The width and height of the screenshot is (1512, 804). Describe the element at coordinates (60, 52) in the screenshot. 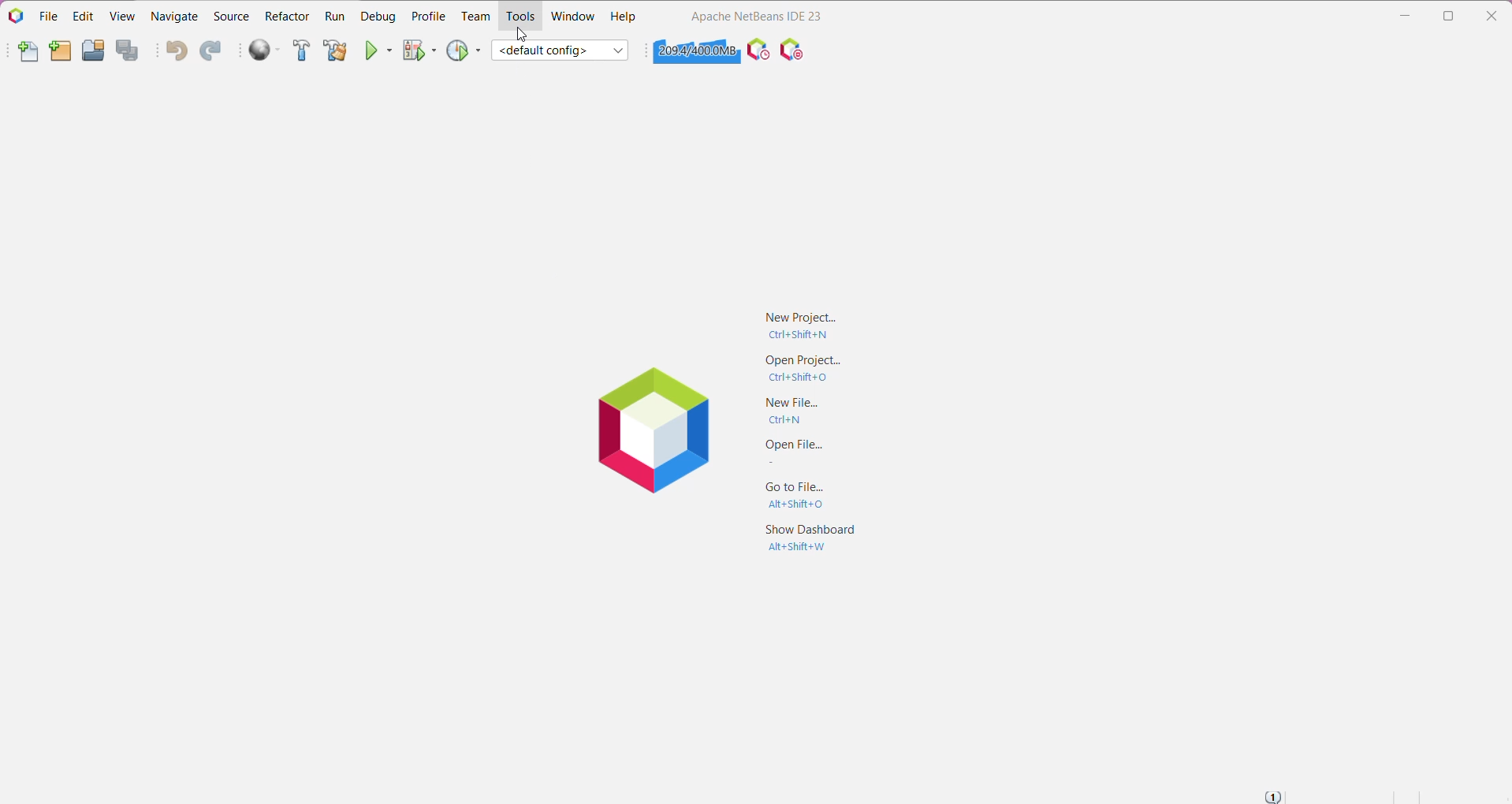

I see `New Project` at that location.